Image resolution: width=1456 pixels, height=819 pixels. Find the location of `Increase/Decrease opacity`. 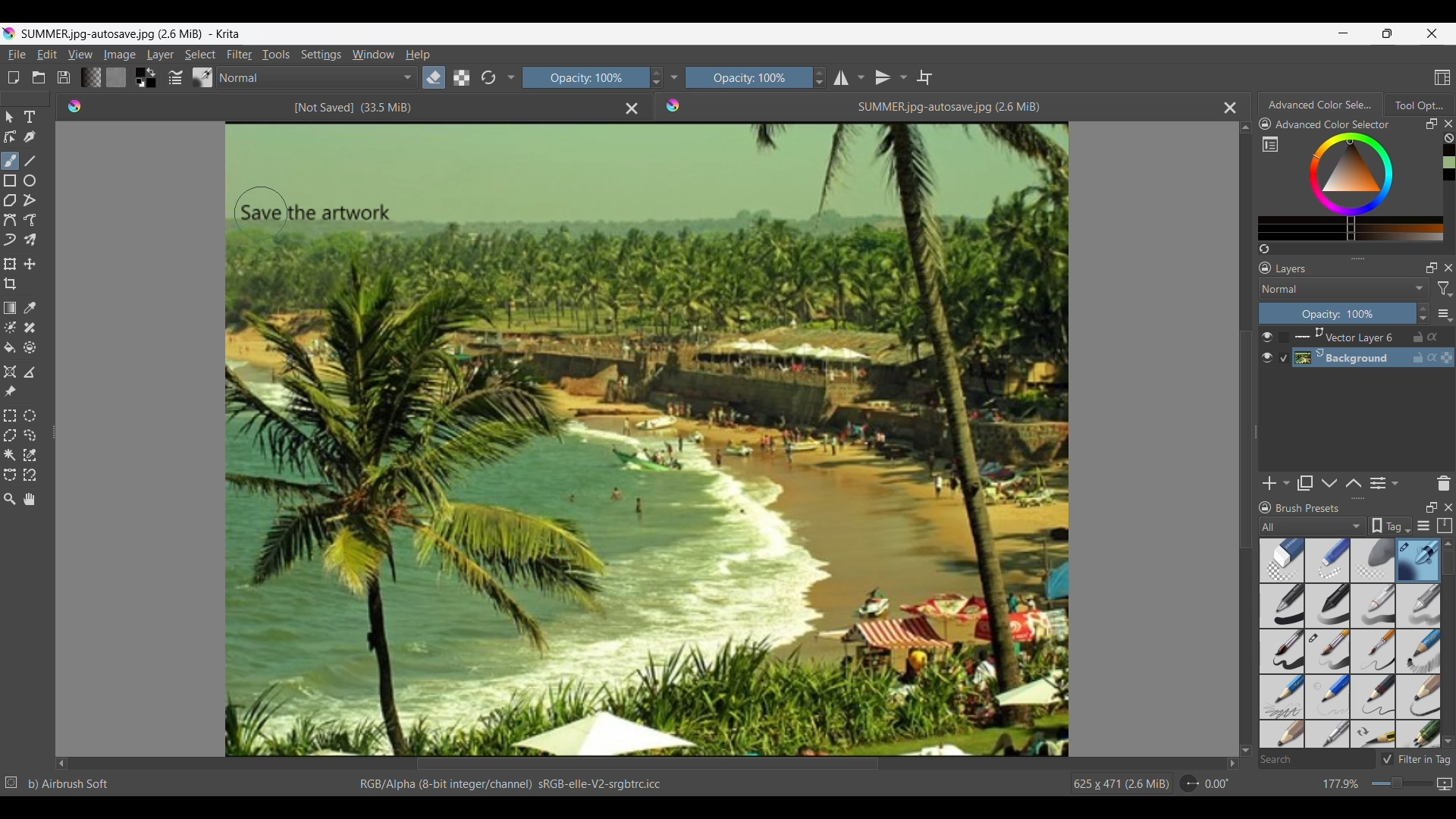

Increase/Decrease opacity is located at coordinates (1423, 313).